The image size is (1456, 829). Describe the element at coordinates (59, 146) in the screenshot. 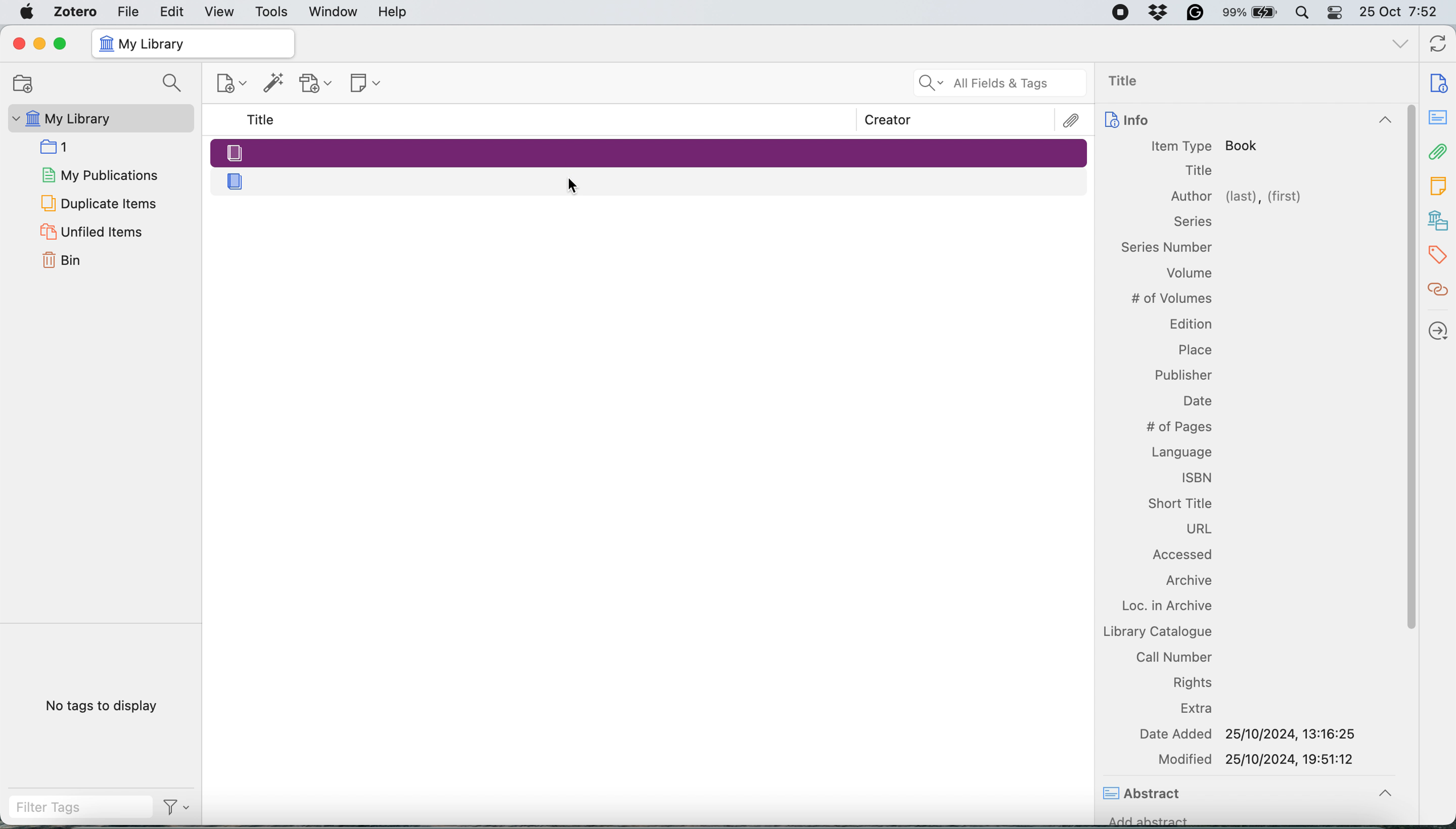

I see `1` at that location.